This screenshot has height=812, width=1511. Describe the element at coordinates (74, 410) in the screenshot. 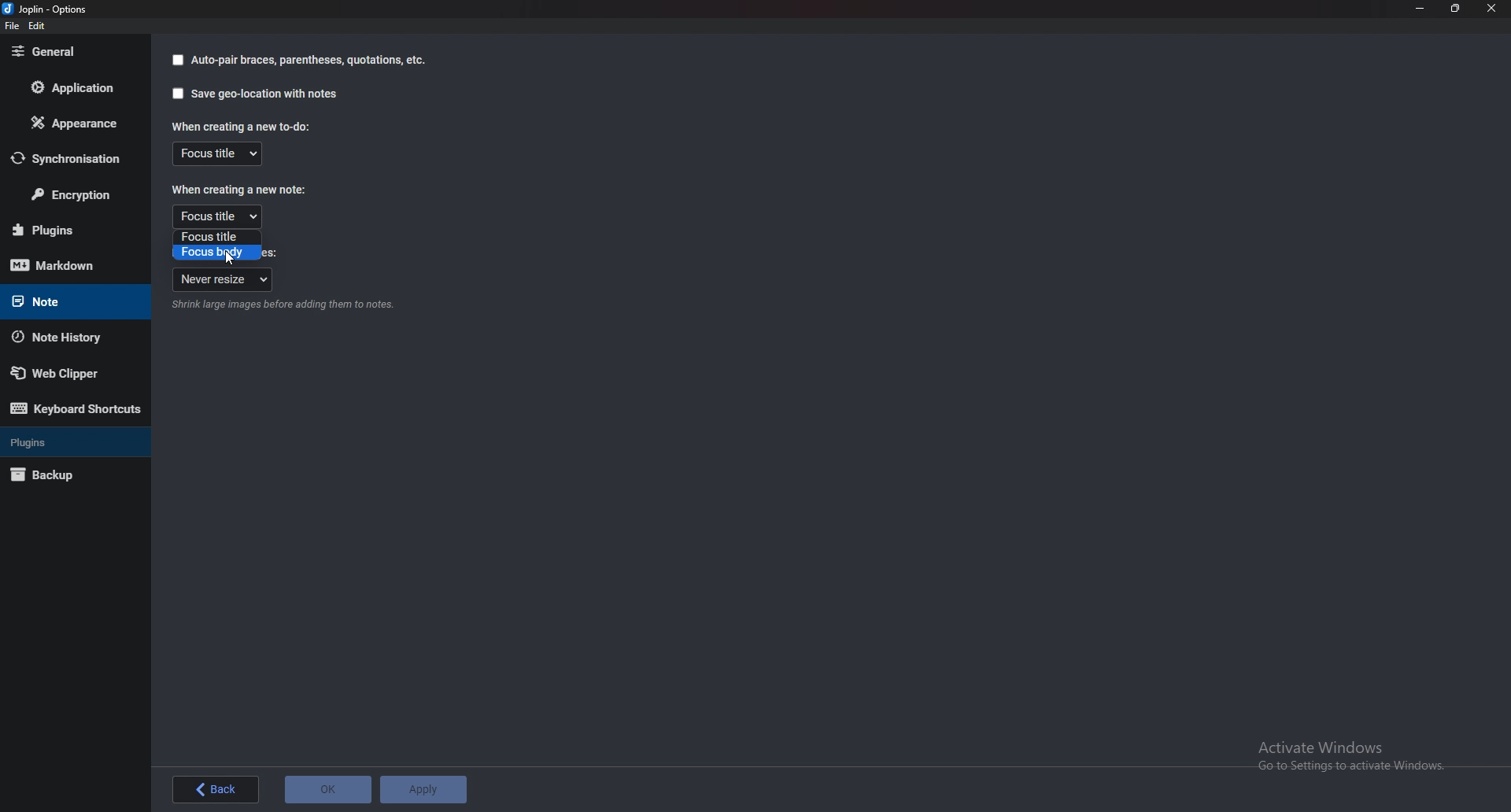

I see `Keyboard shortcuts` at that location.